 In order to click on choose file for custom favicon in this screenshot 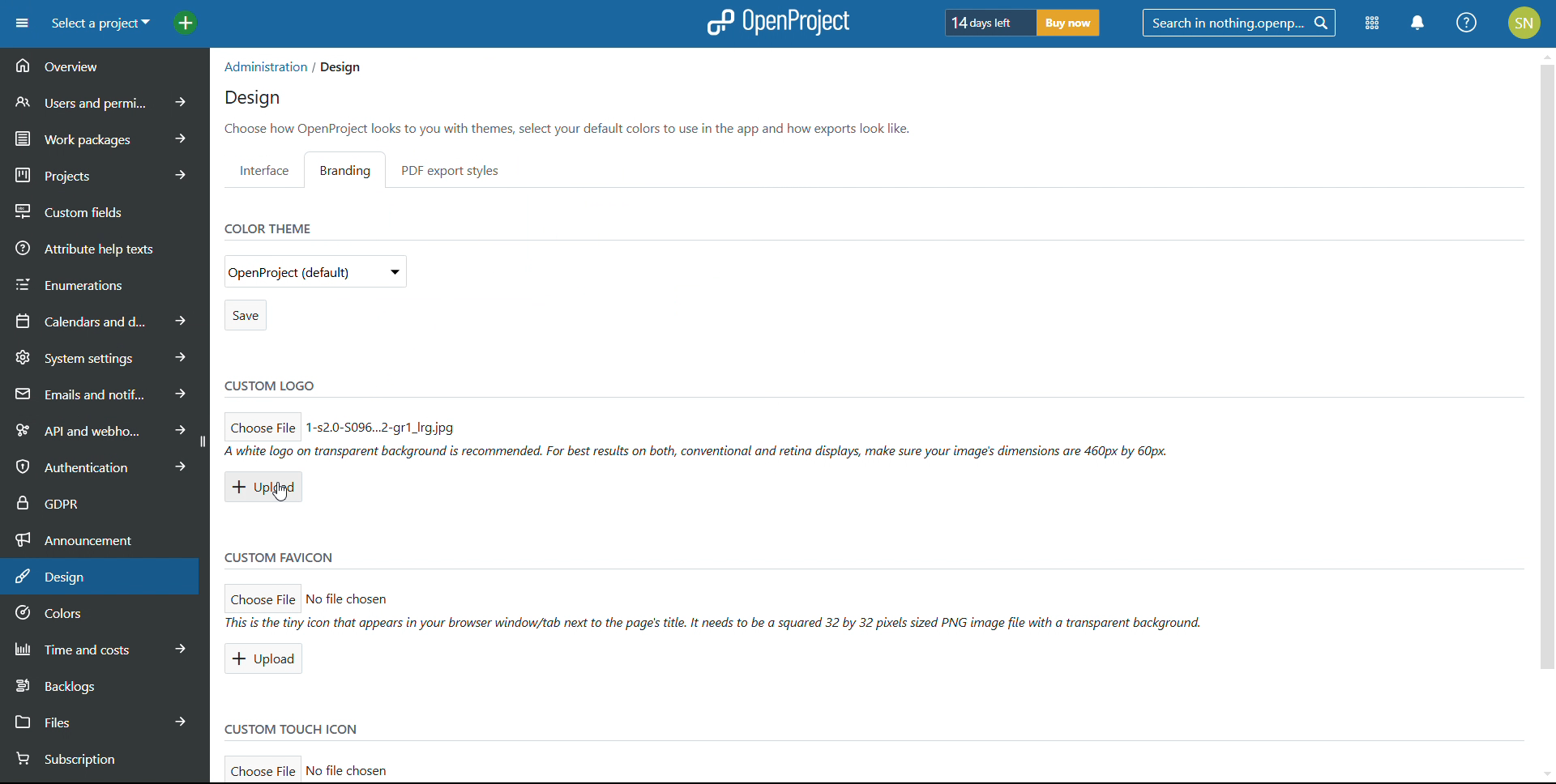, I will do `click(261, 597)`.